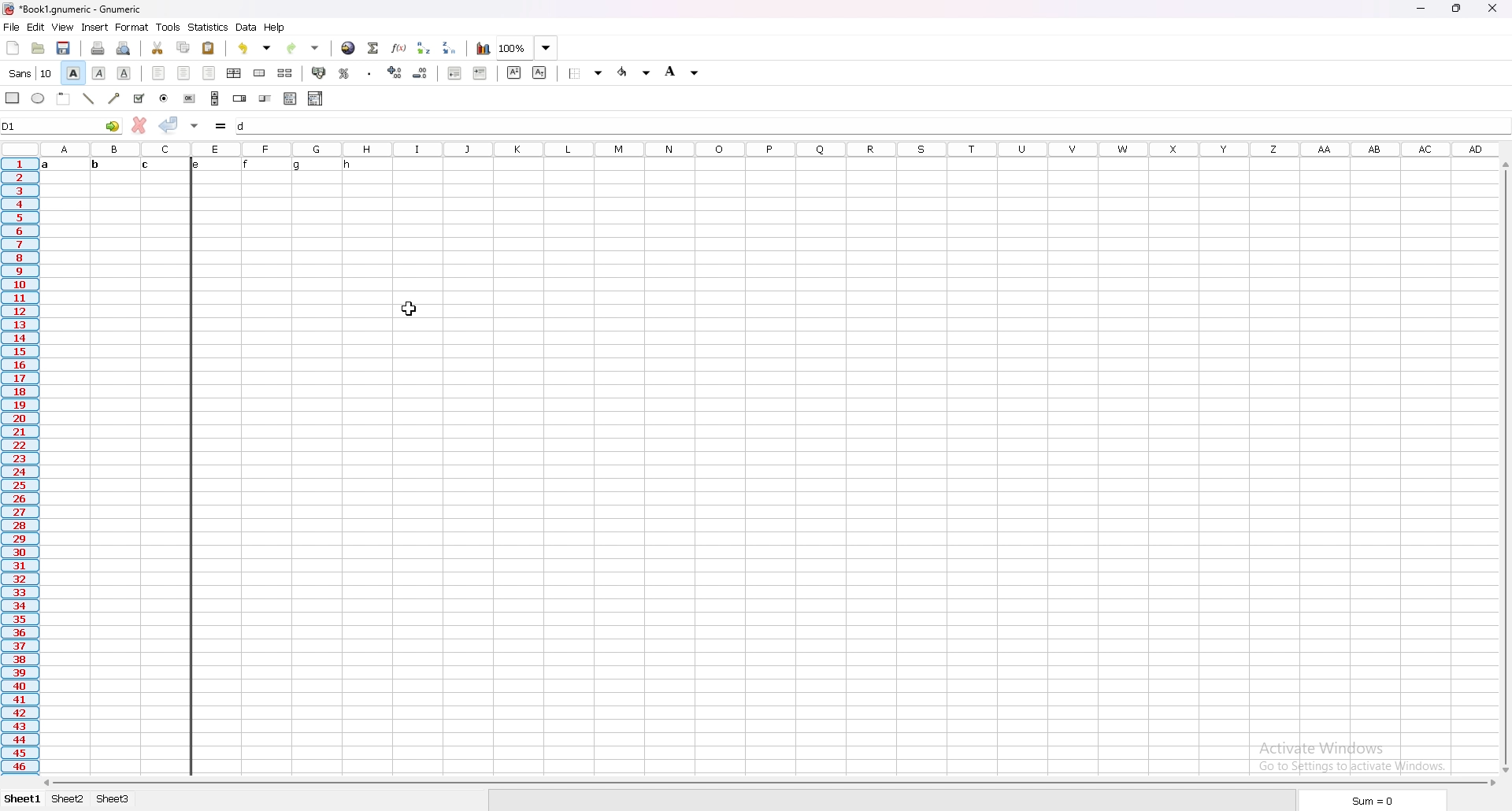 The image size is (1512, 811). What do you see at coordinates (1376, 802) in the screenshot?
I see `sum` at bounding box center [1376, 802].